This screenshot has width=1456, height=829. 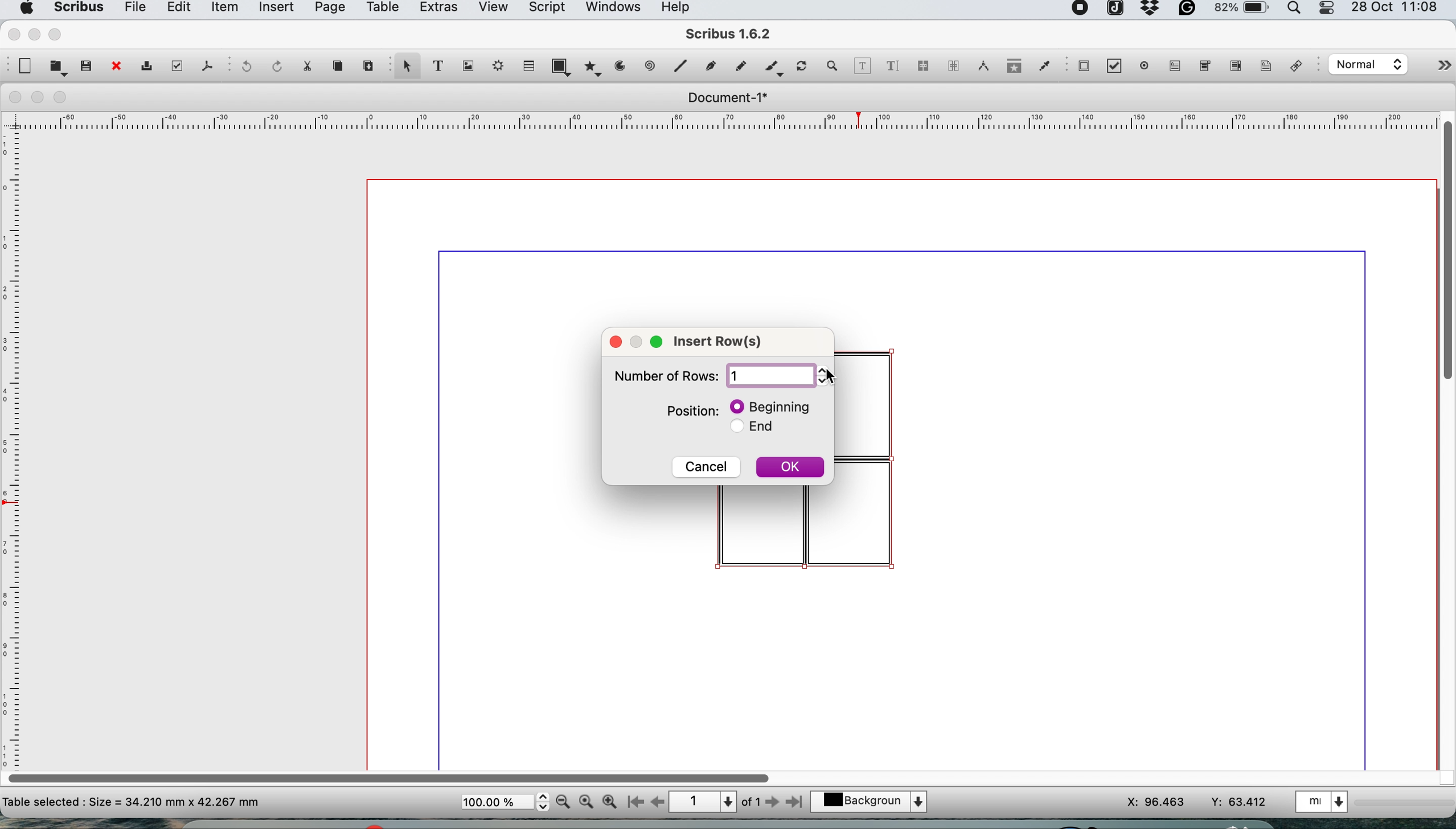 What do you see at coordinates (588, 801) in the screenshot?
I see `zoom 100%` at bounding box center [588, 801].